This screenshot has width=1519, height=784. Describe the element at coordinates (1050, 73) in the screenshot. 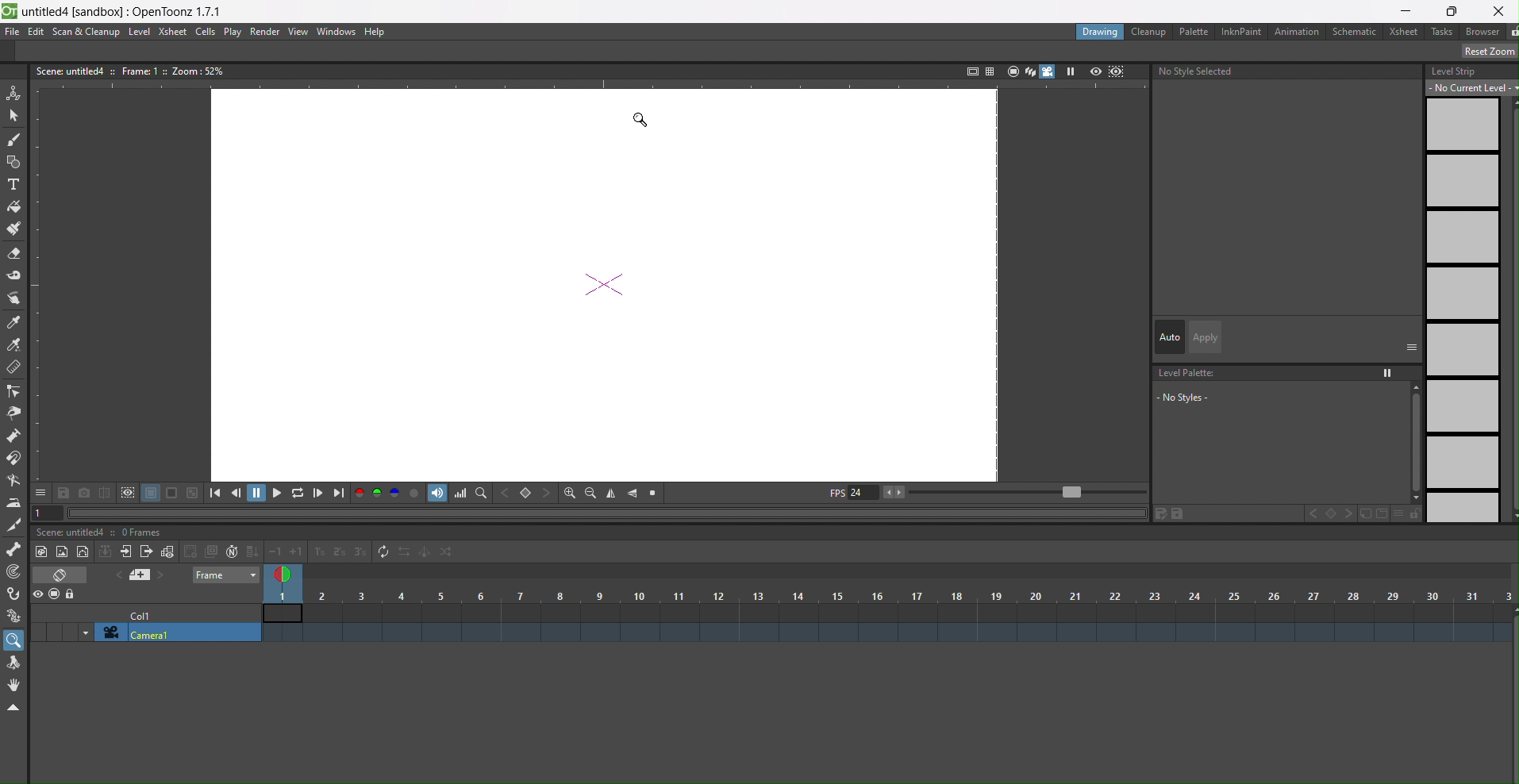

I see `camera toggle view` at that location.